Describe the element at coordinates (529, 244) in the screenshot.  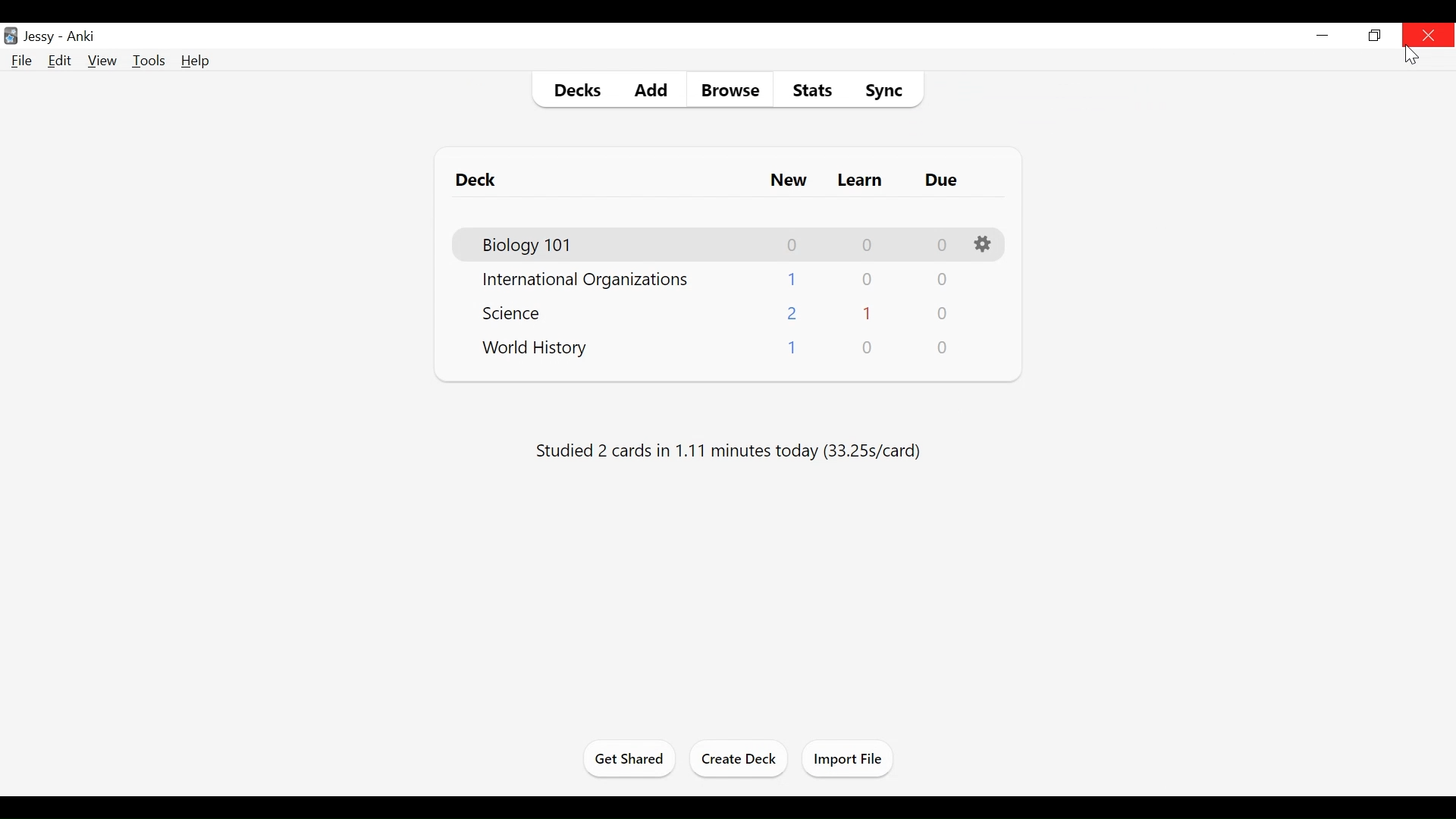
I see `Deck Name` at that location.